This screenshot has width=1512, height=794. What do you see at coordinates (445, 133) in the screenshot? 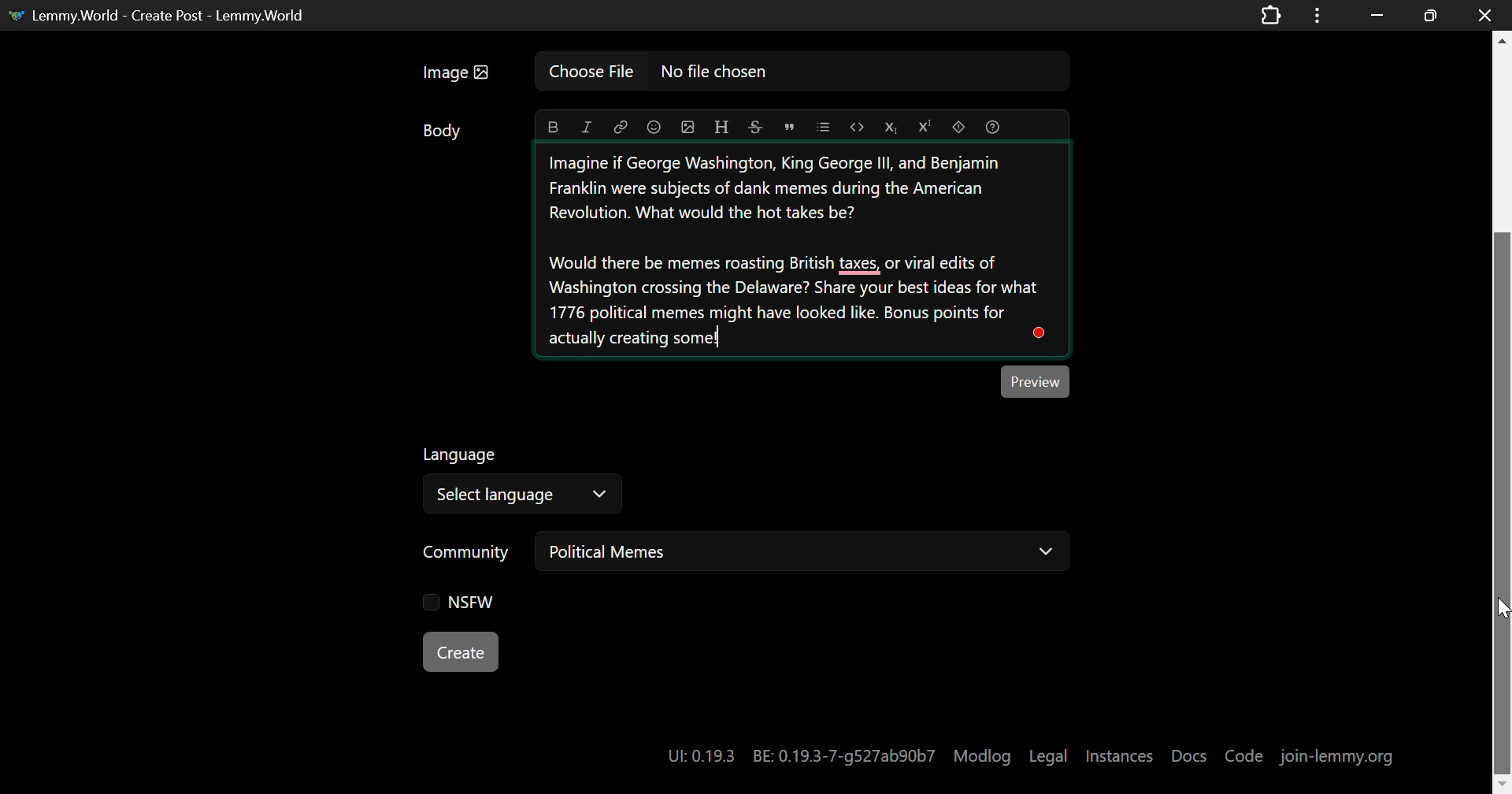
I see `Body` at bounding box center [445, 133].